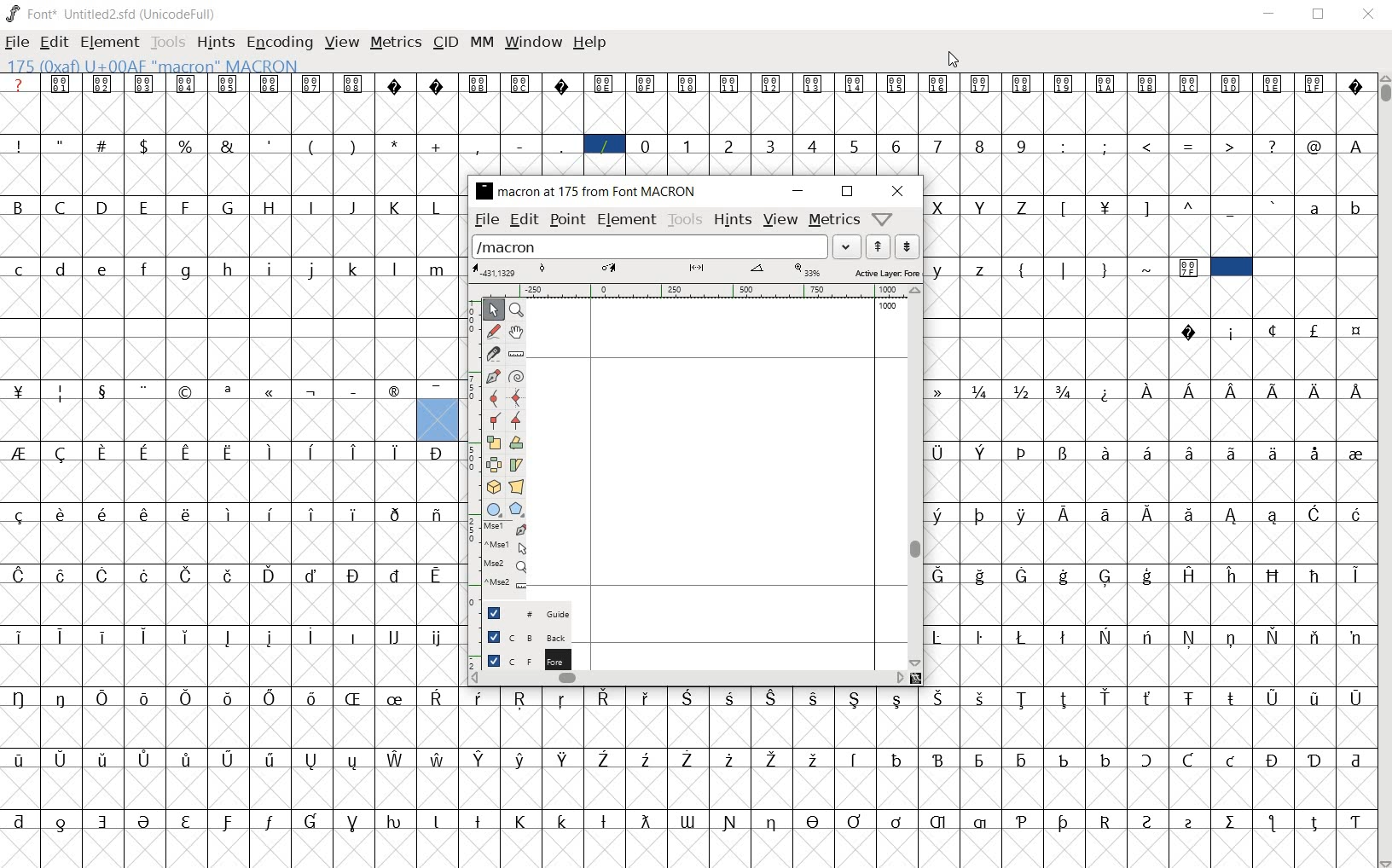 The height and width of the screenshot is (868, 1392). What do you see at coordinates (439, 205) in the screenshot?
I see `L` at bounding box center [439, 205].